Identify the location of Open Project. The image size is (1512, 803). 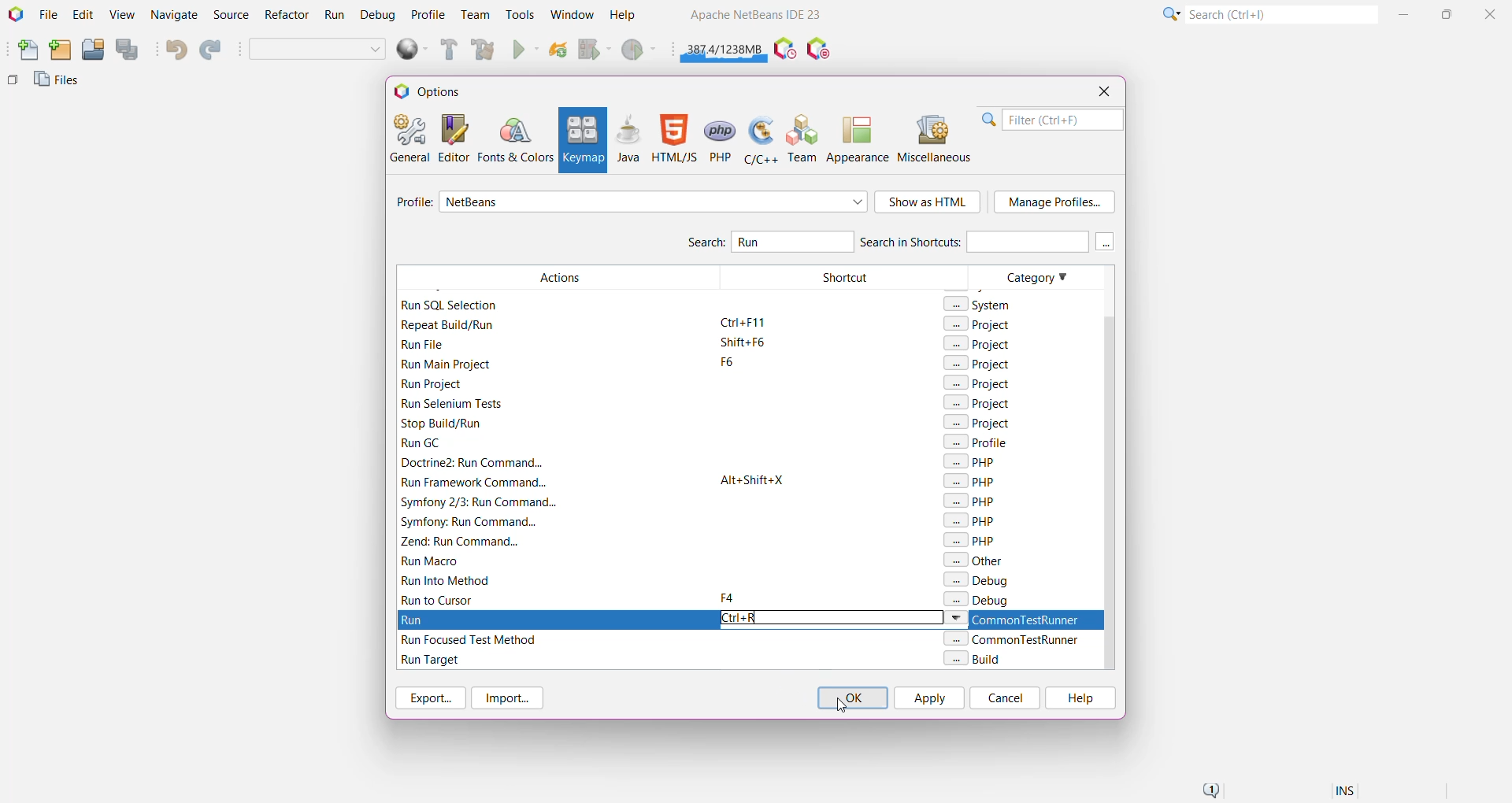
(92, 50).